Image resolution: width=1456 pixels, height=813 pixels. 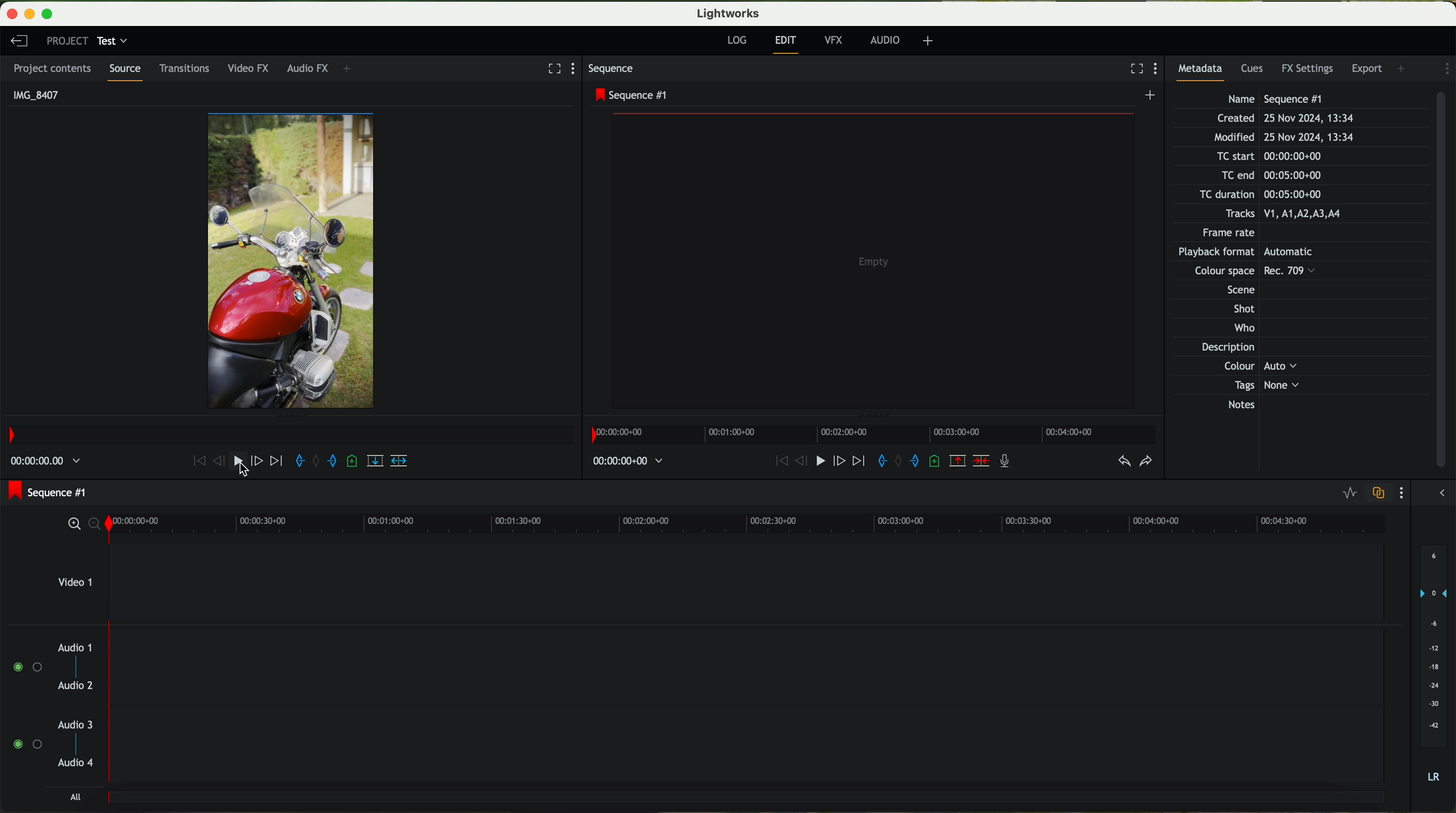 What do you see at coordinates (351, 70) in the screenshot?
I see `+` at bounding box center [351, 70].